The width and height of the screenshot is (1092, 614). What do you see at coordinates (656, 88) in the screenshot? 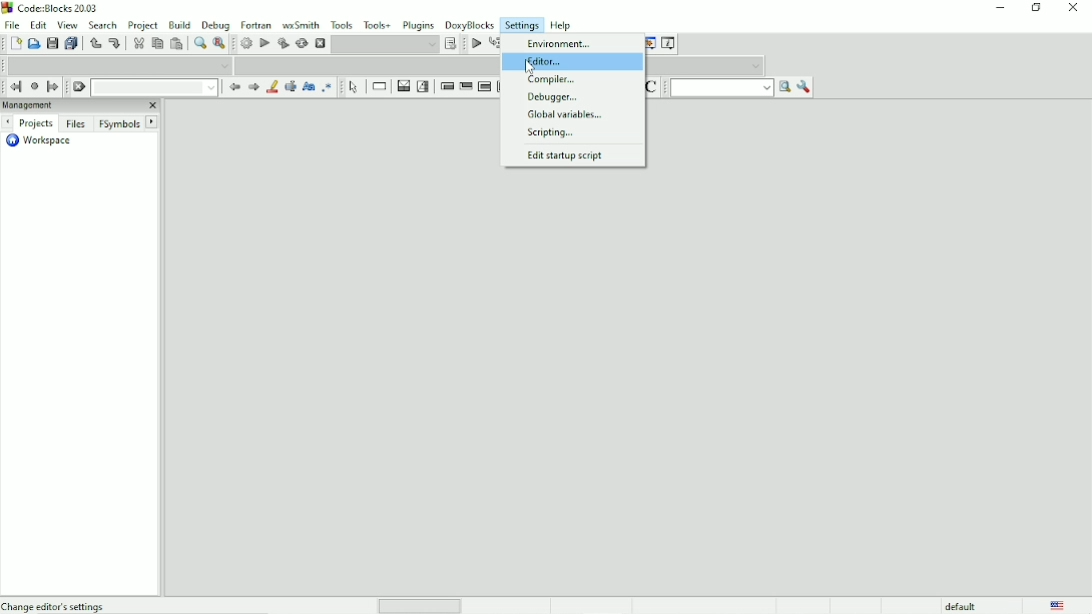
I see `Toggle comments` at bounding box center [656, 88].